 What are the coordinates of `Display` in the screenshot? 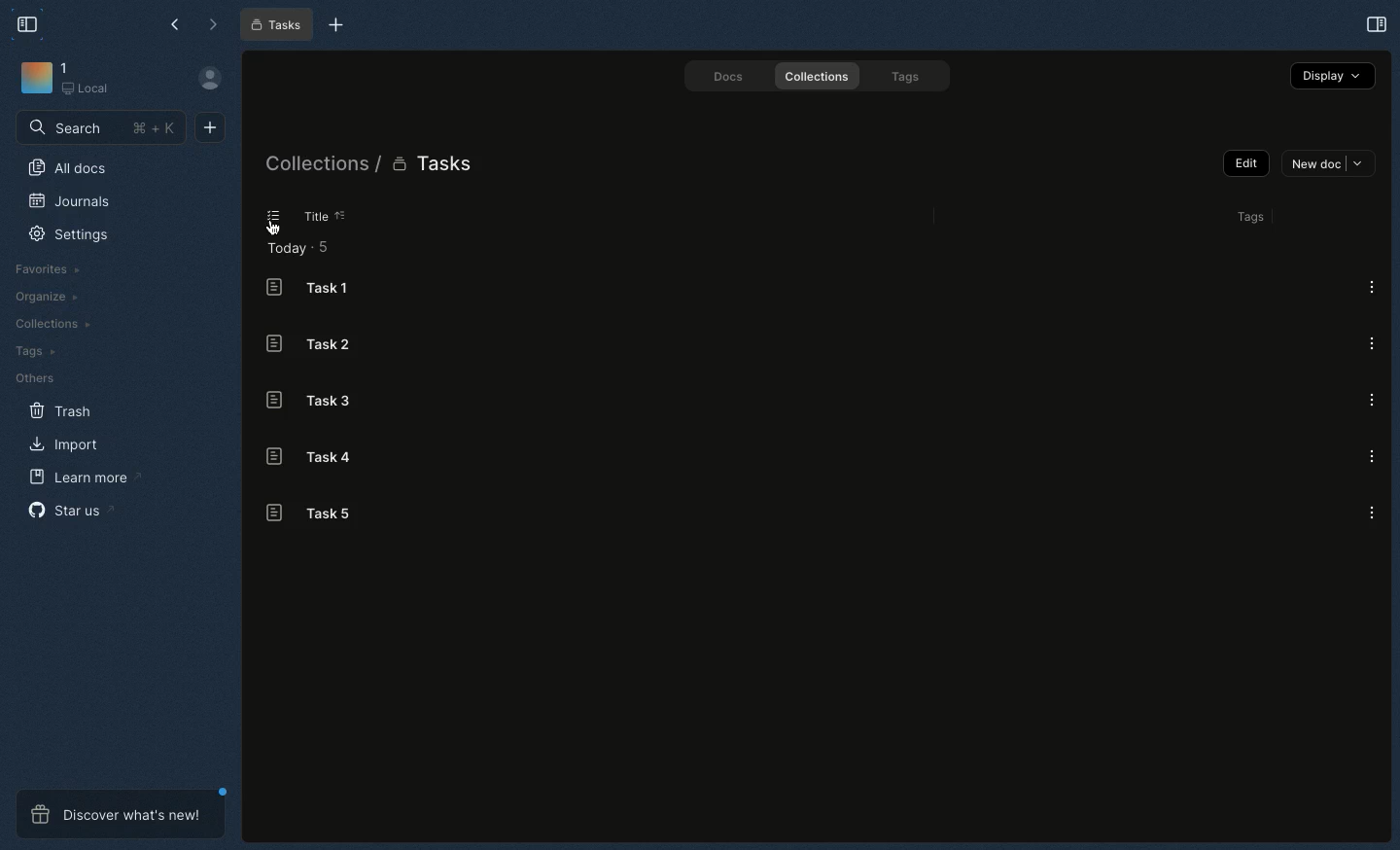 It's located at (1333, 76).